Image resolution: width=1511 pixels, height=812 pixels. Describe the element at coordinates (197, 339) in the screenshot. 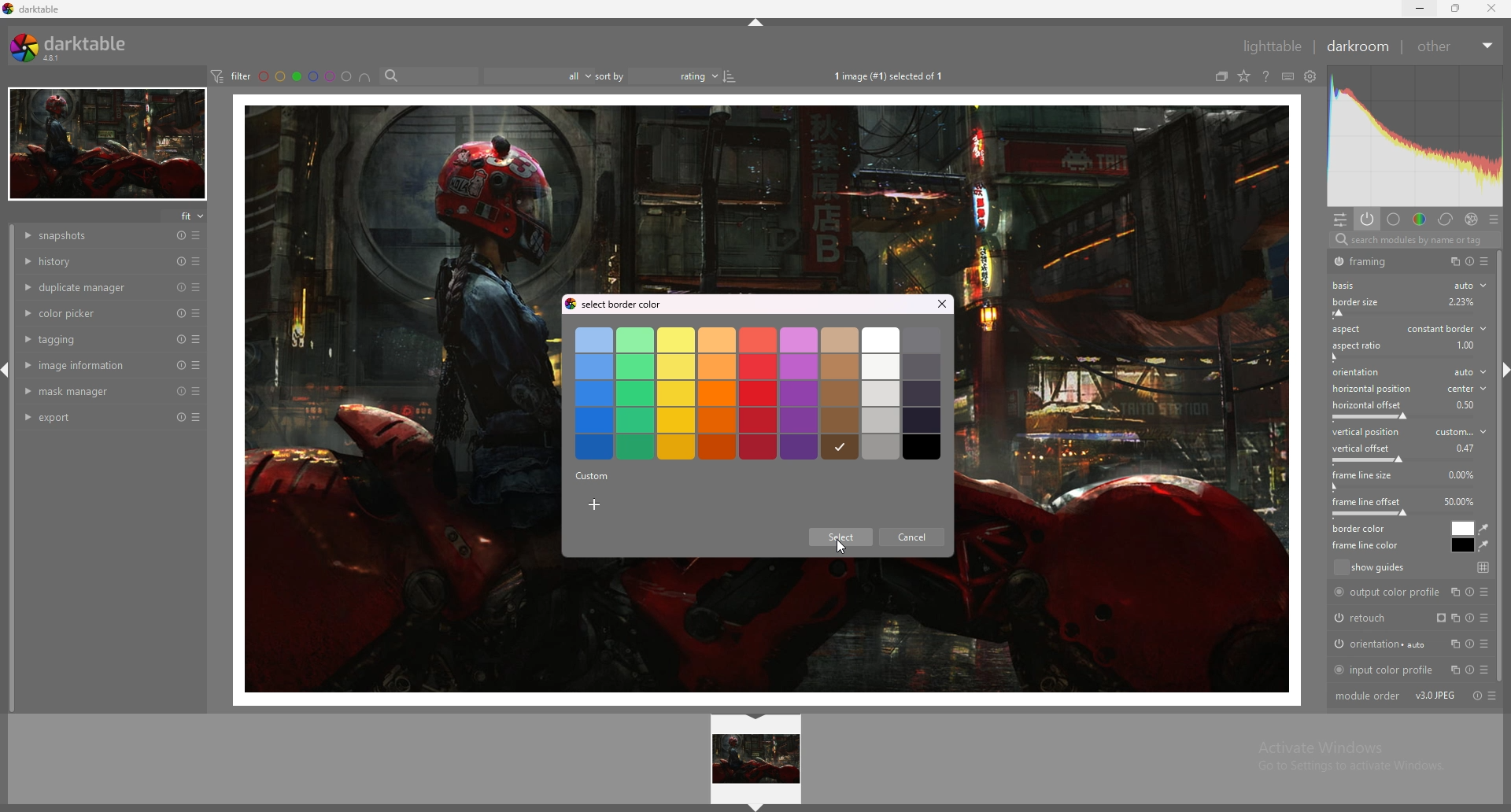

I see `presets` at that location.